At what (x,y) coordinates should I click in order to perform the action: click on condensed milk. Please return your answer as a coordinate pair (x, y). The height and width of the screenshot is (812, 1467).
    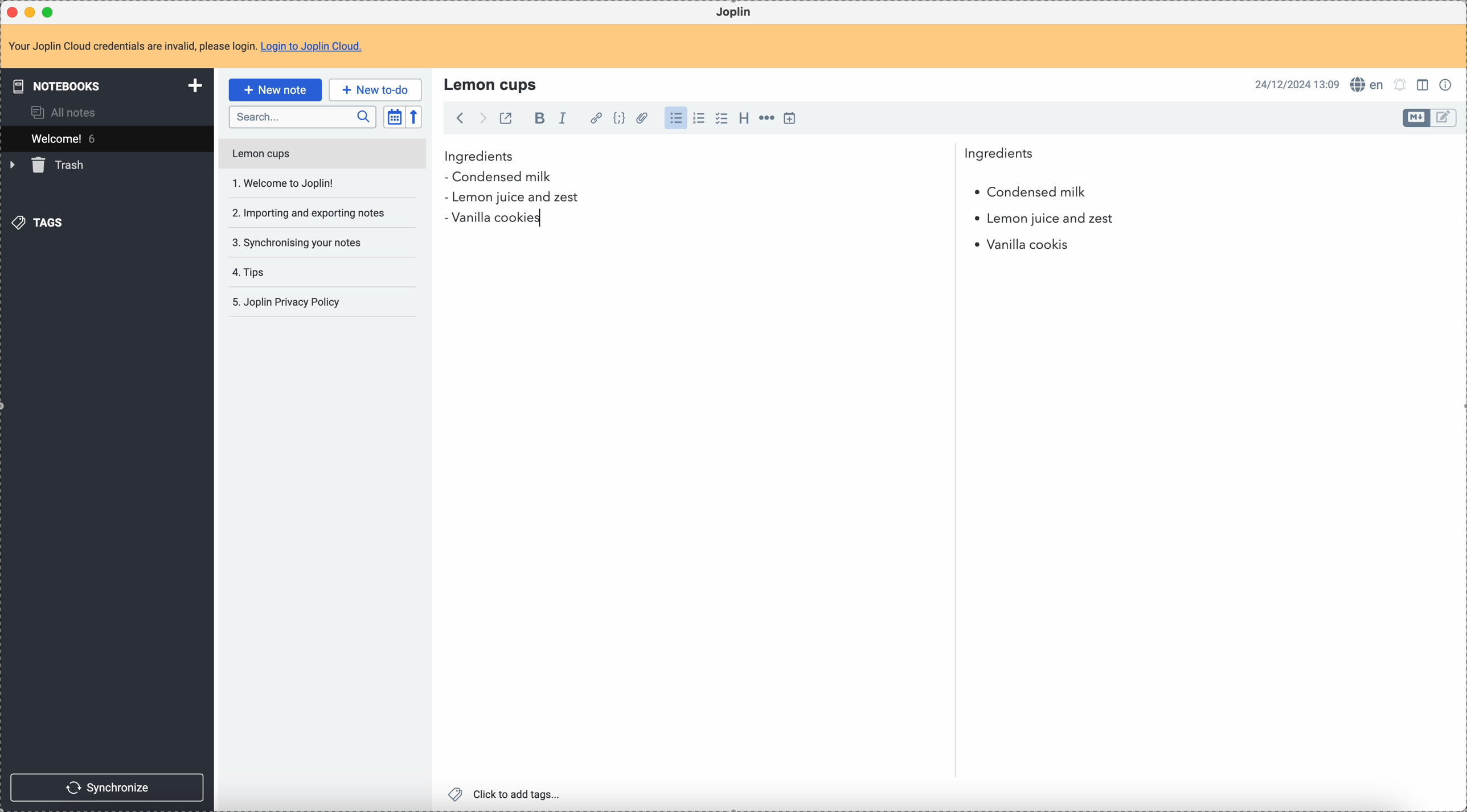
    Looking at the image, I should click on (502, 178).